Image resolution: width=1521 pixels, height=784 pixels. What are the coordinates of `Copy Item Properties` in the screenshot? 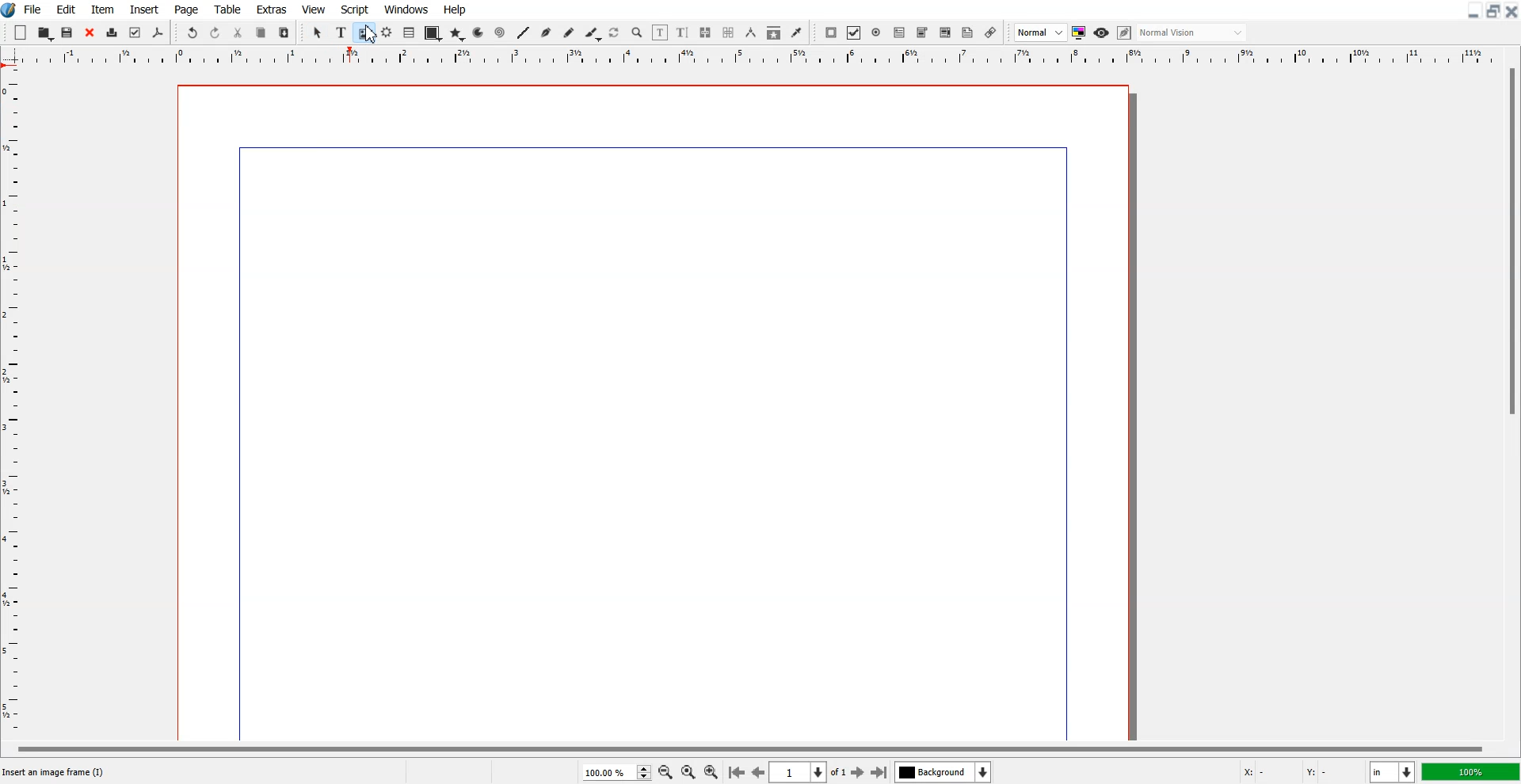 It's located at (773, 32).